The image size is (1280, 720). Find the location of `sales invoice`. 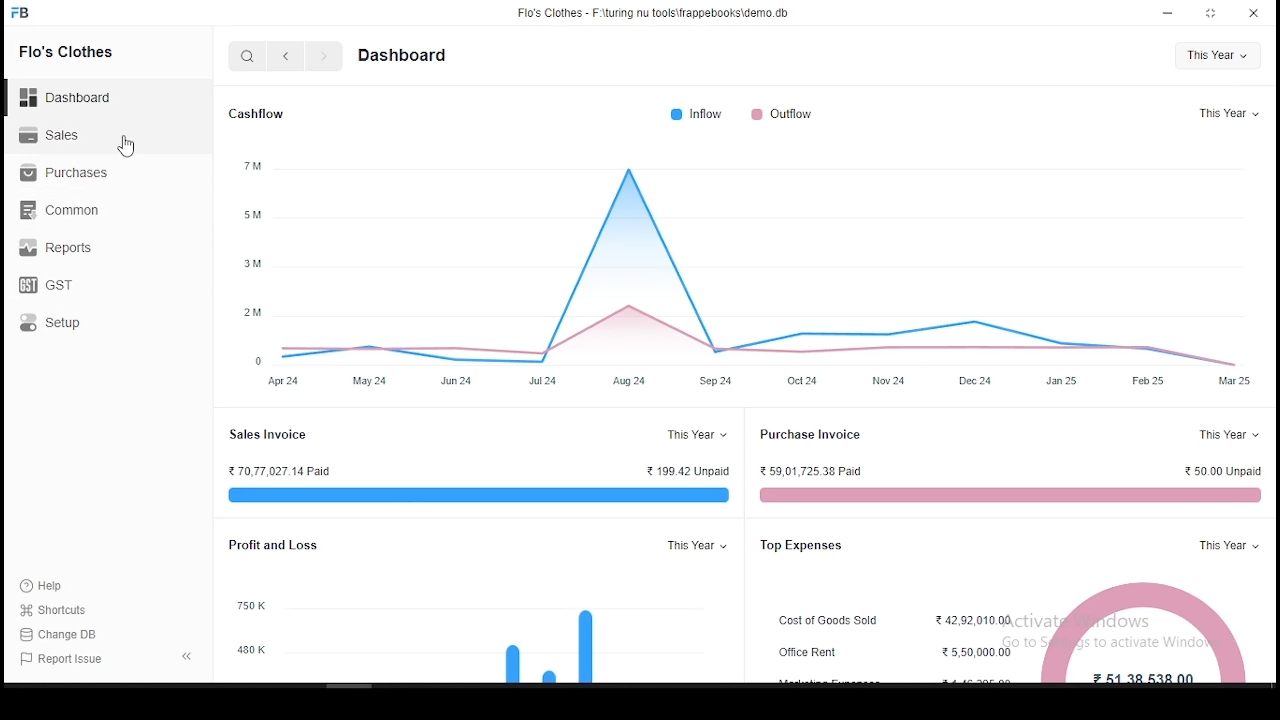

sales invoice is located at coordinates (274, 436).